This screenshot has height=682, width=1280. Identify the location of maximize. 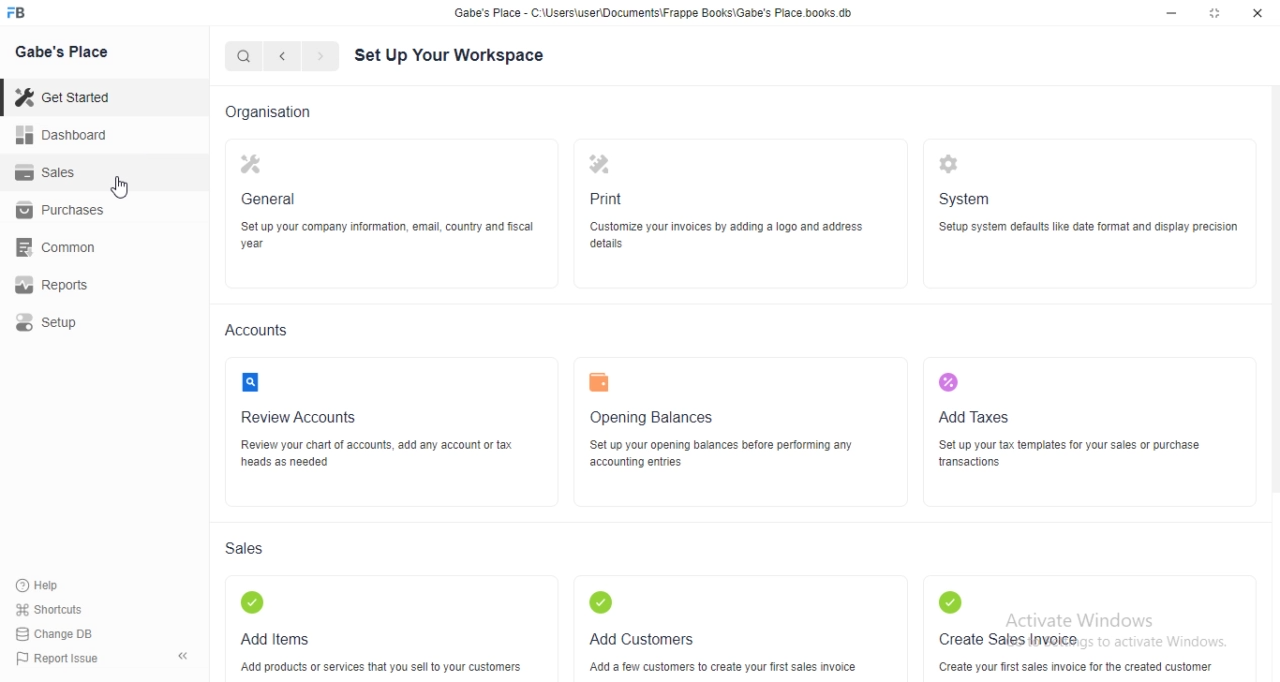
(1216, 15).